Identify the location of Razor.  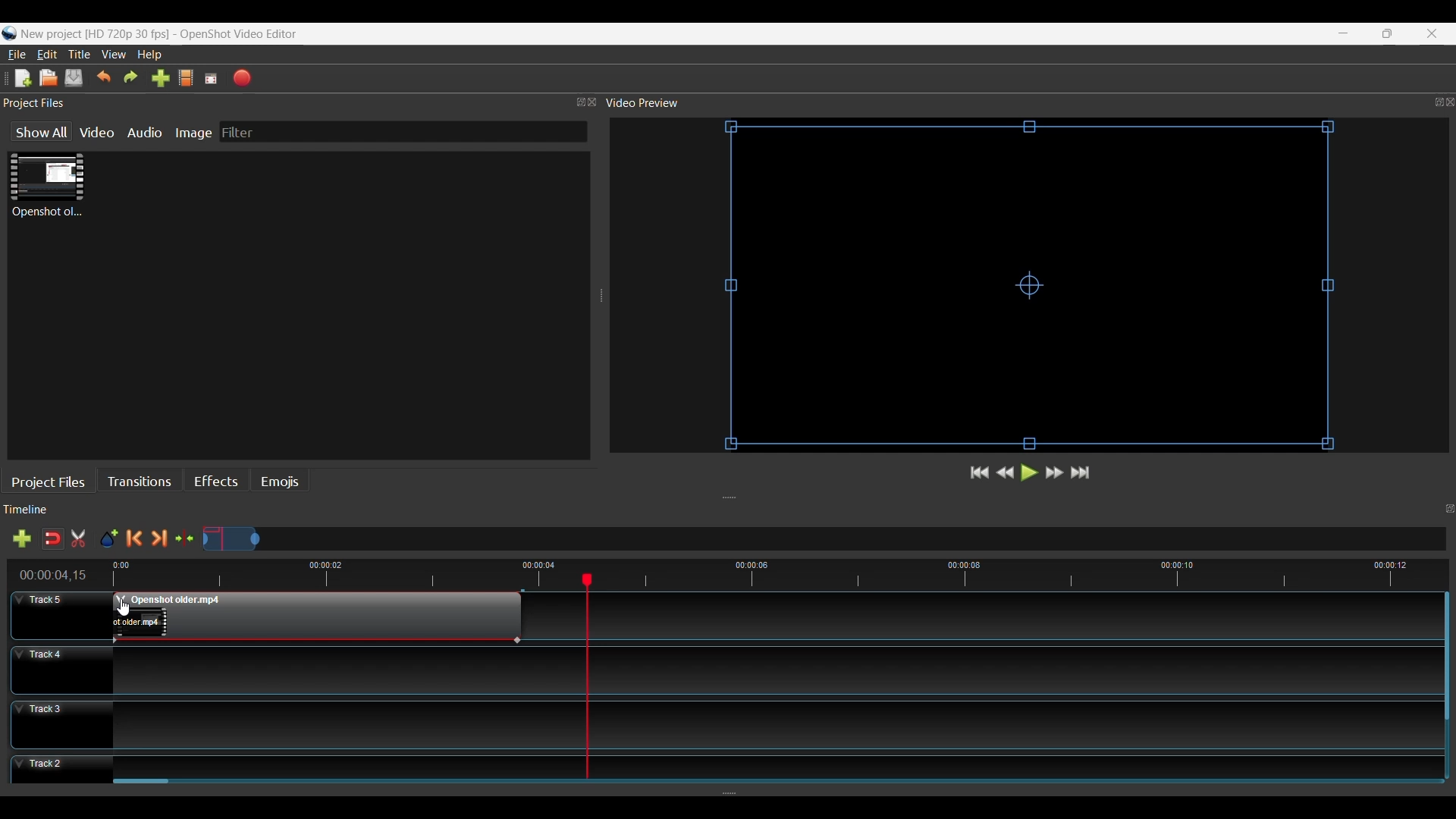
(80, 540).